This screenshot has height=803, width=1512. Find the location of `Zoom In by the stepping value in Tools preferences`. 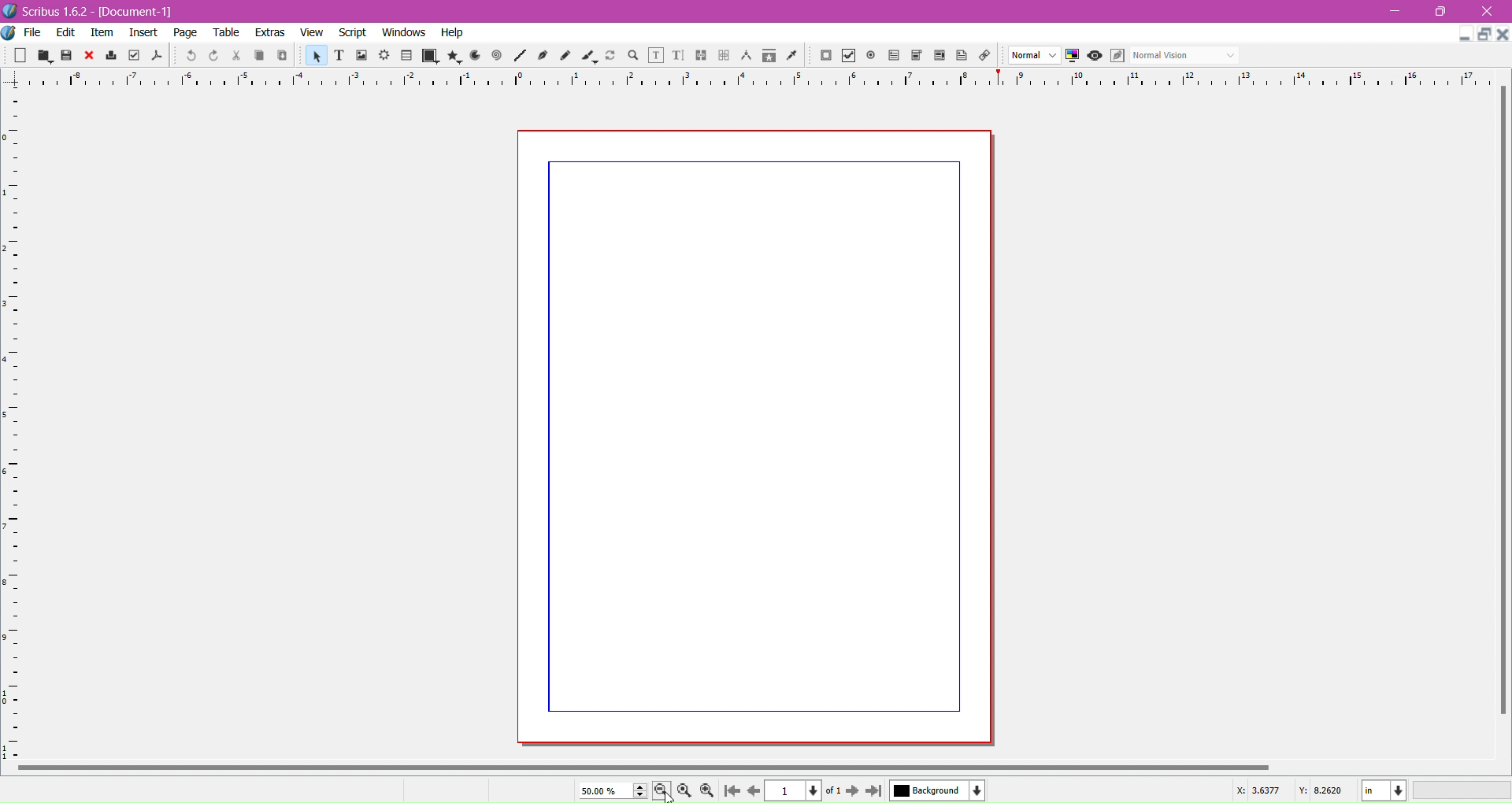

Zoom In by the stepping value in Tools preferences is located at coordinates (709, 791).